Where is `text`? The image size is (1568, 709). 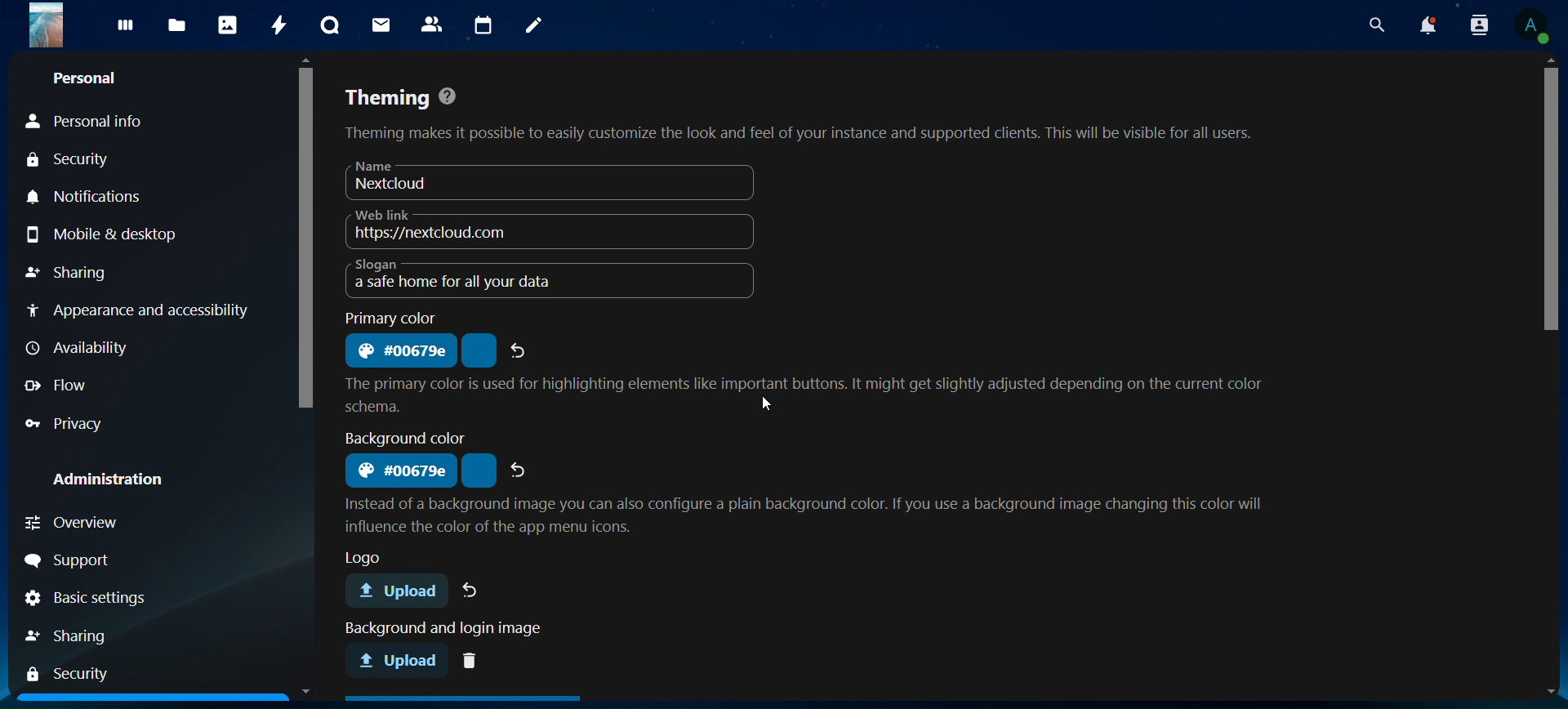
text is located at coordinates (798, 394).